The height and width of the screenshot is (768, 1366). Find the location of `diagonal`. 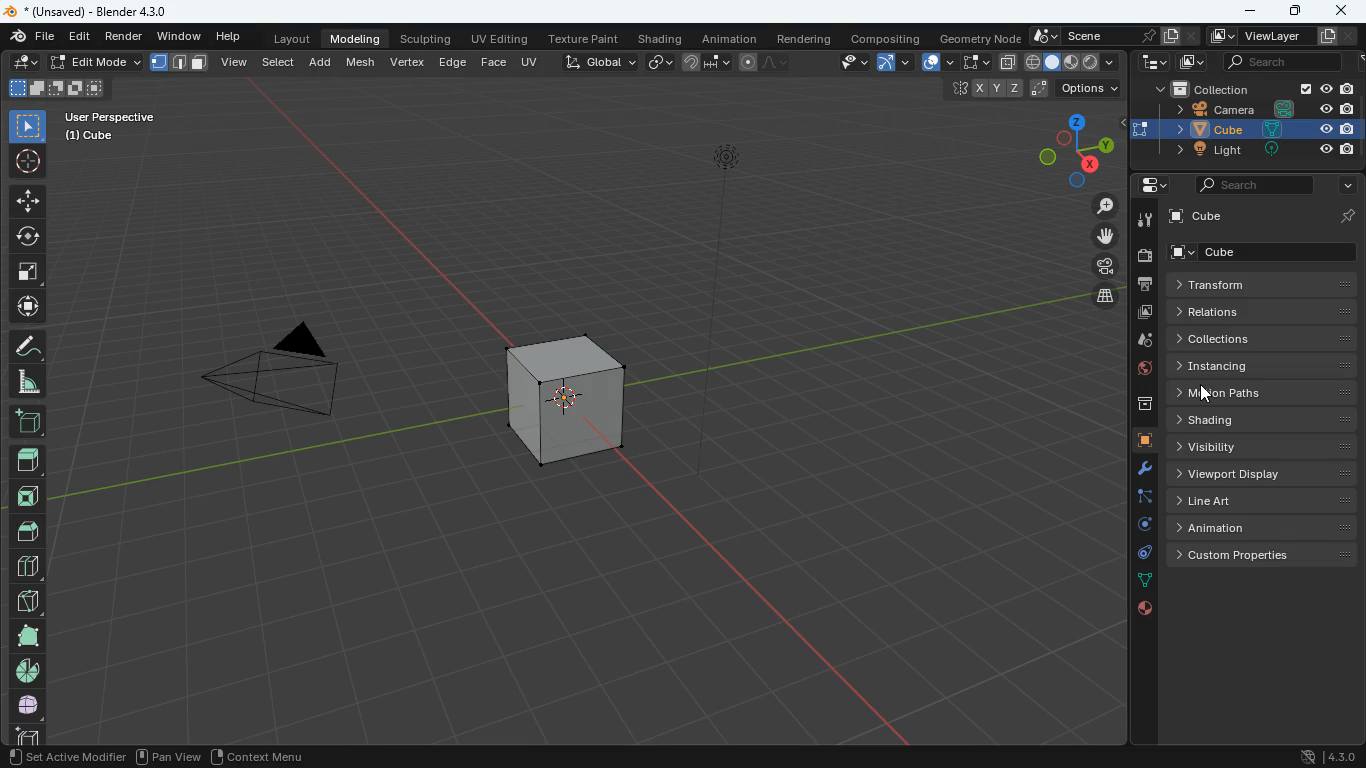

diagonal is located at coordinates (27, 597).